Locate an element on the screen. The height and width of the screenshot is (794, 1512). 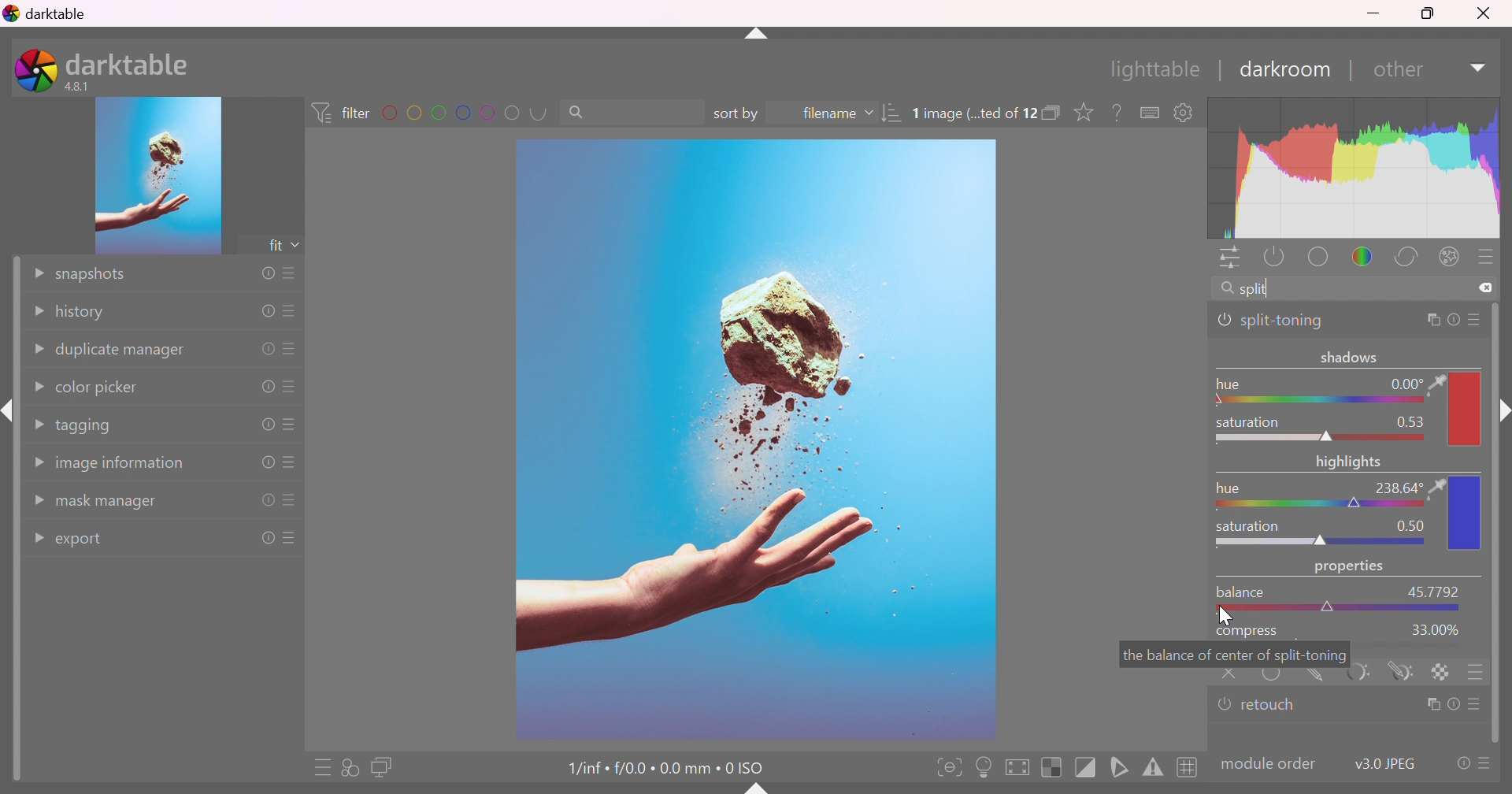
33.00% is located at coordinates (1435, 630).